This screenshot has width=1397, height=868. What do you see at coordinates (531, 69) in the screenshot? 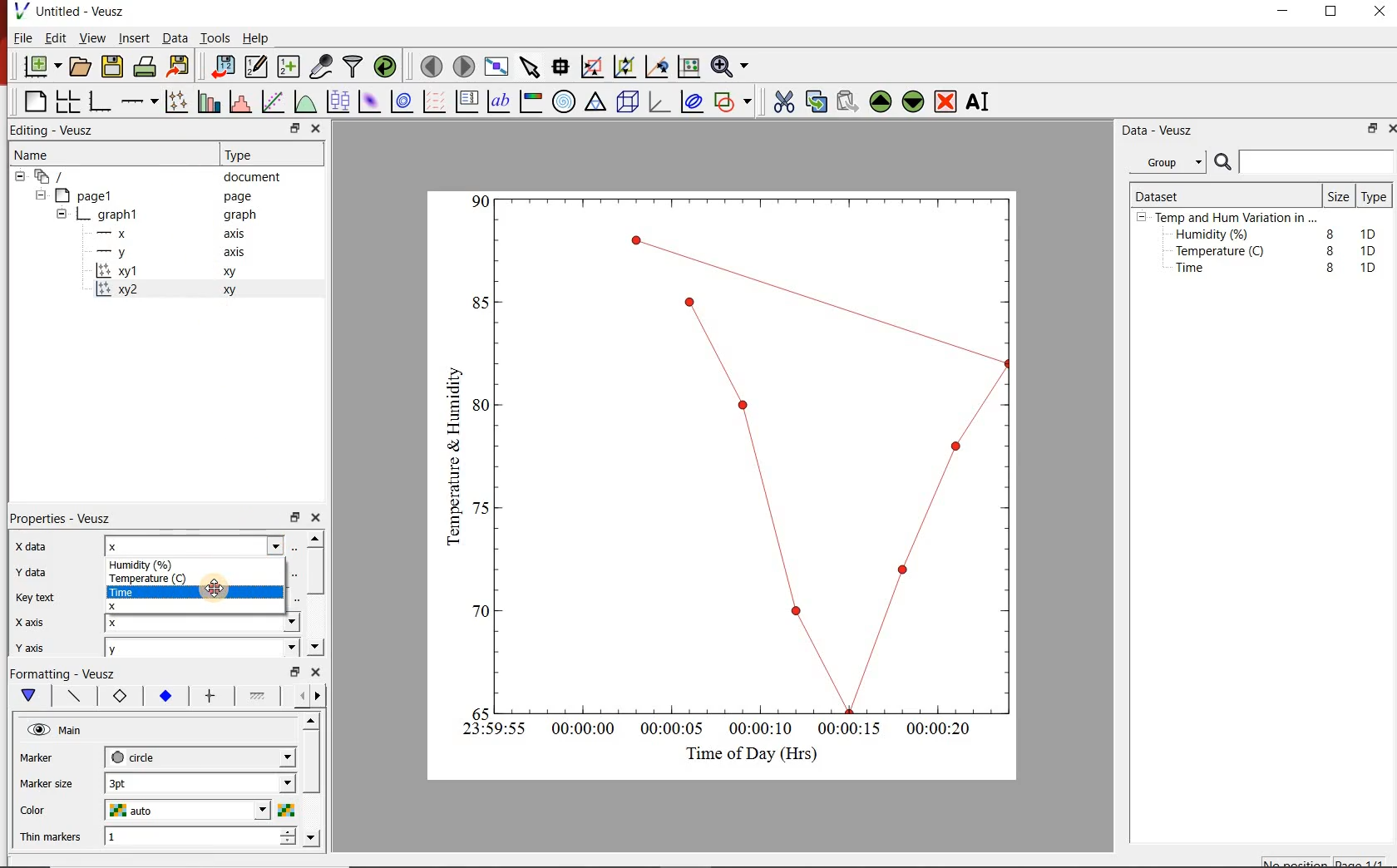
I see `select items from the graph or scroll` at bounding box center [531, 69].